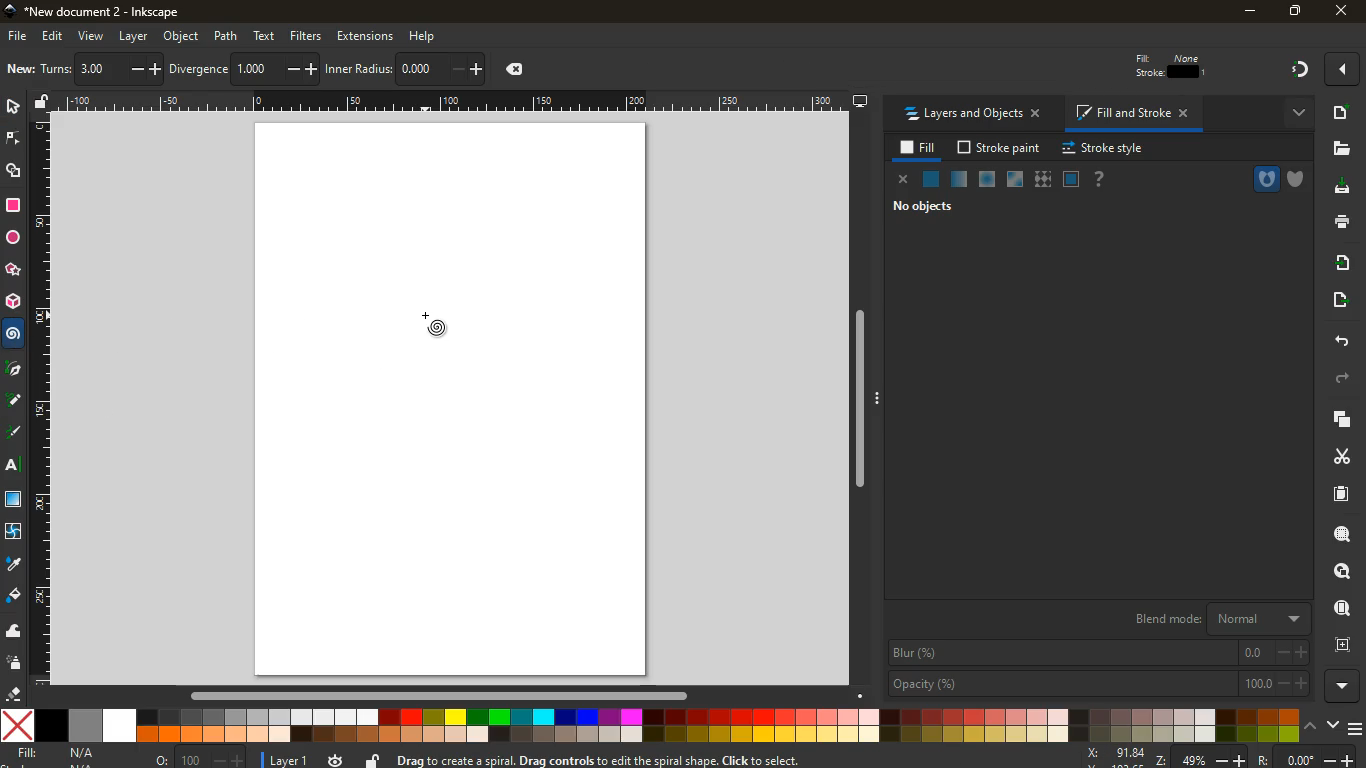  I want to click on unlock, so click(38, 104).